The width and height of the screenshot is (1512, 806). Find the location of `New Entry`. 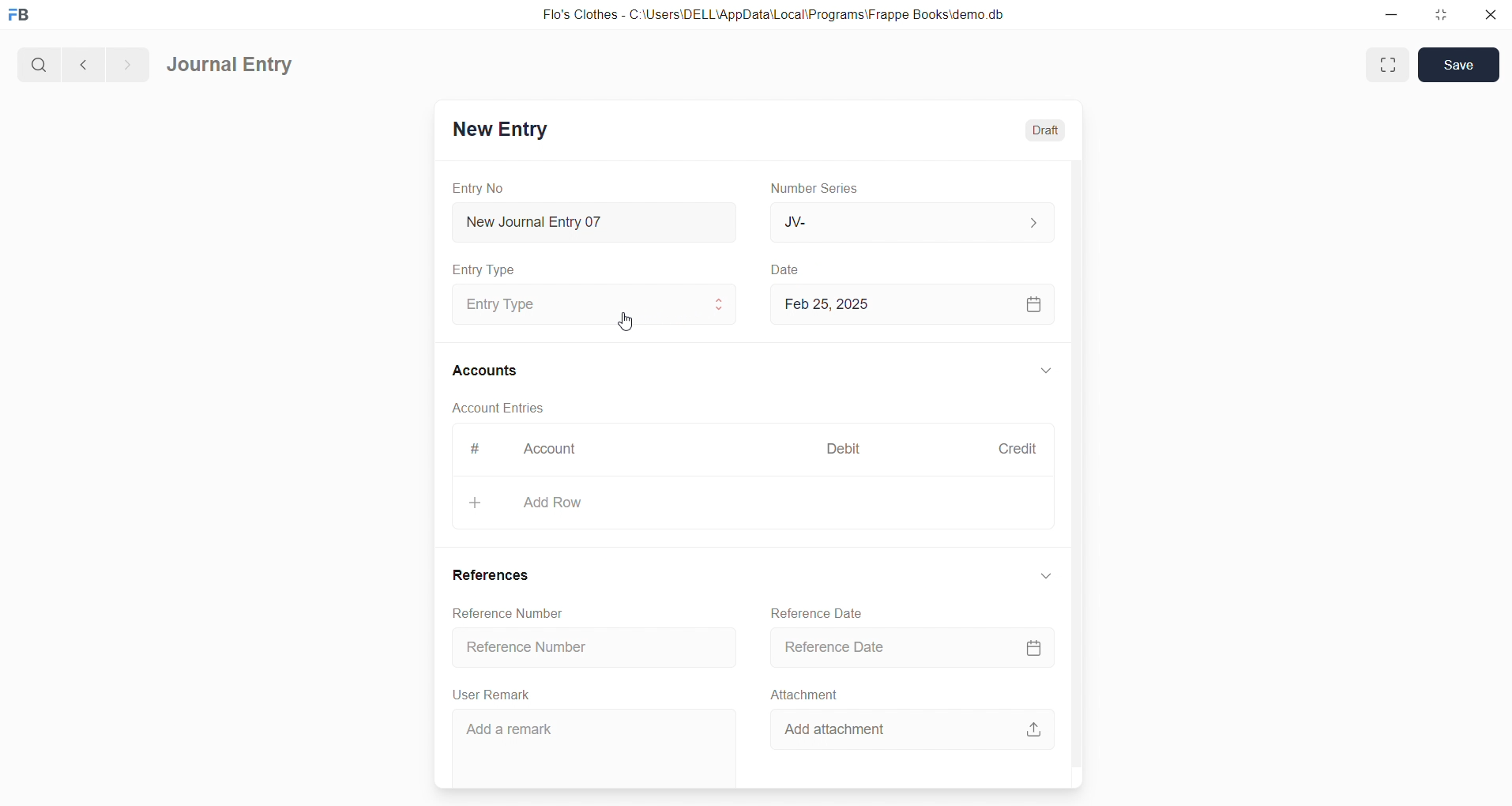

New Entry is located at coordinates (499, 129).